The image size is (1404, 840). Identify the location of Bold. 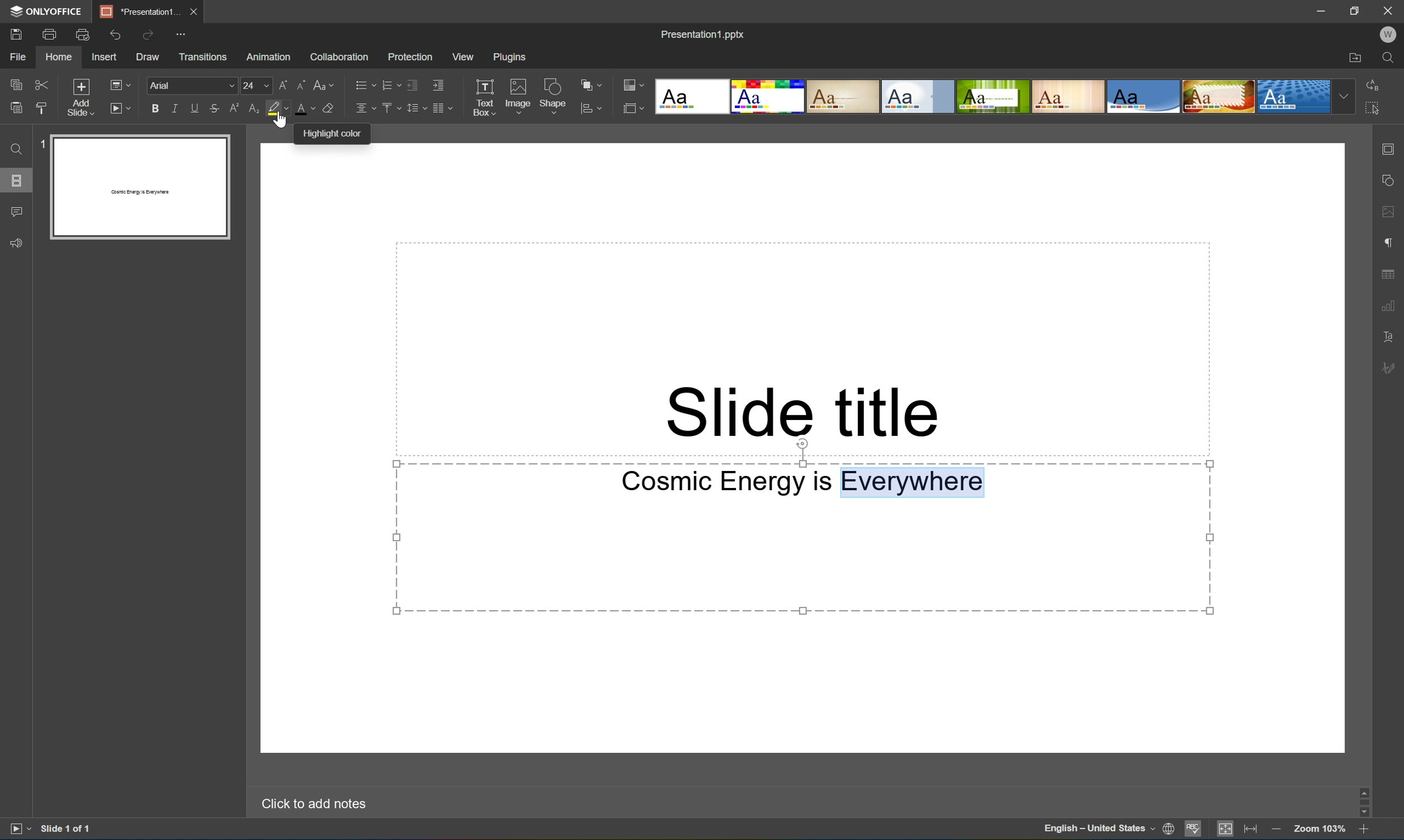
(150, 109).